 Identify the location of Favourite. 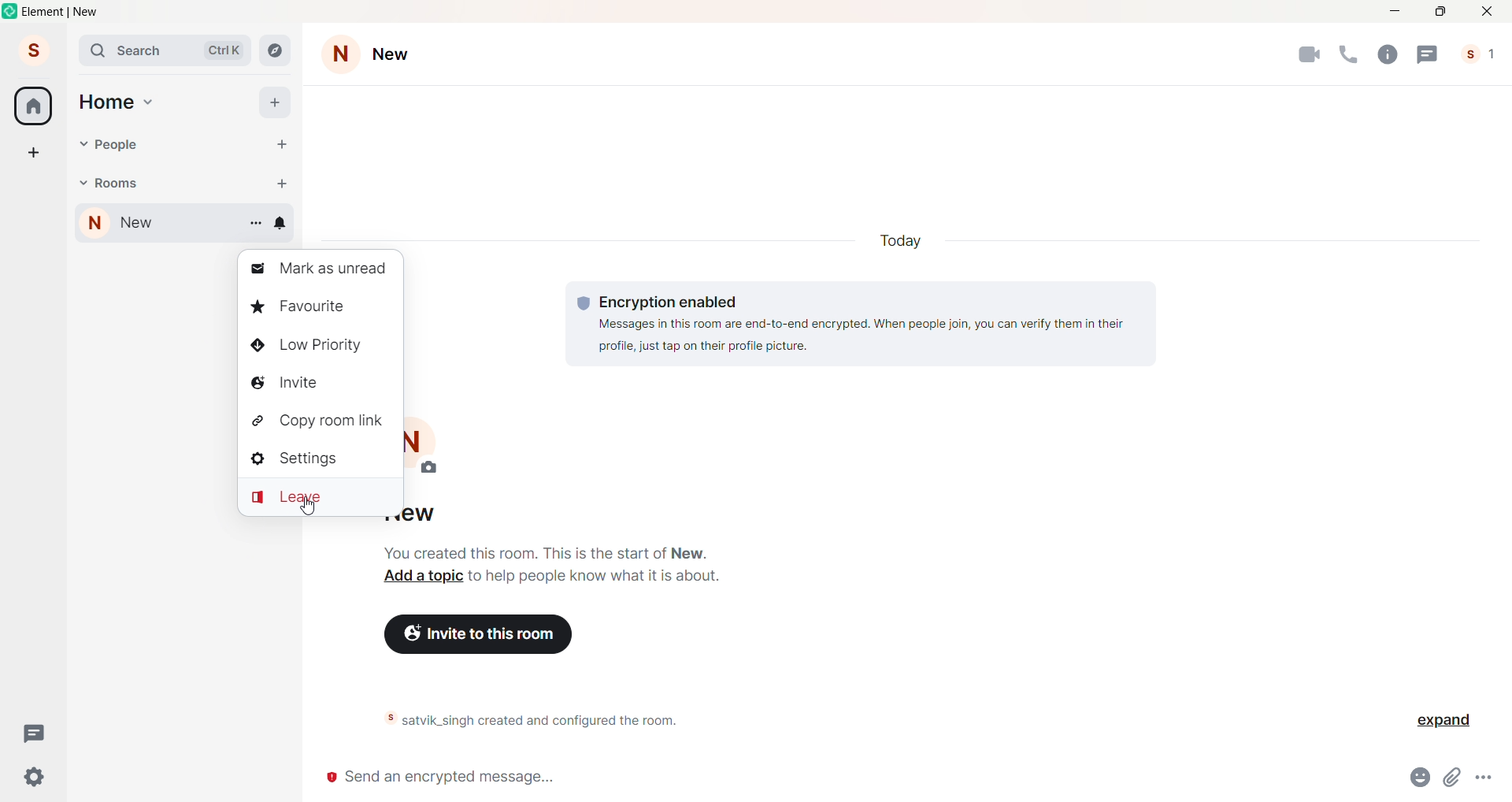
(314, 307).